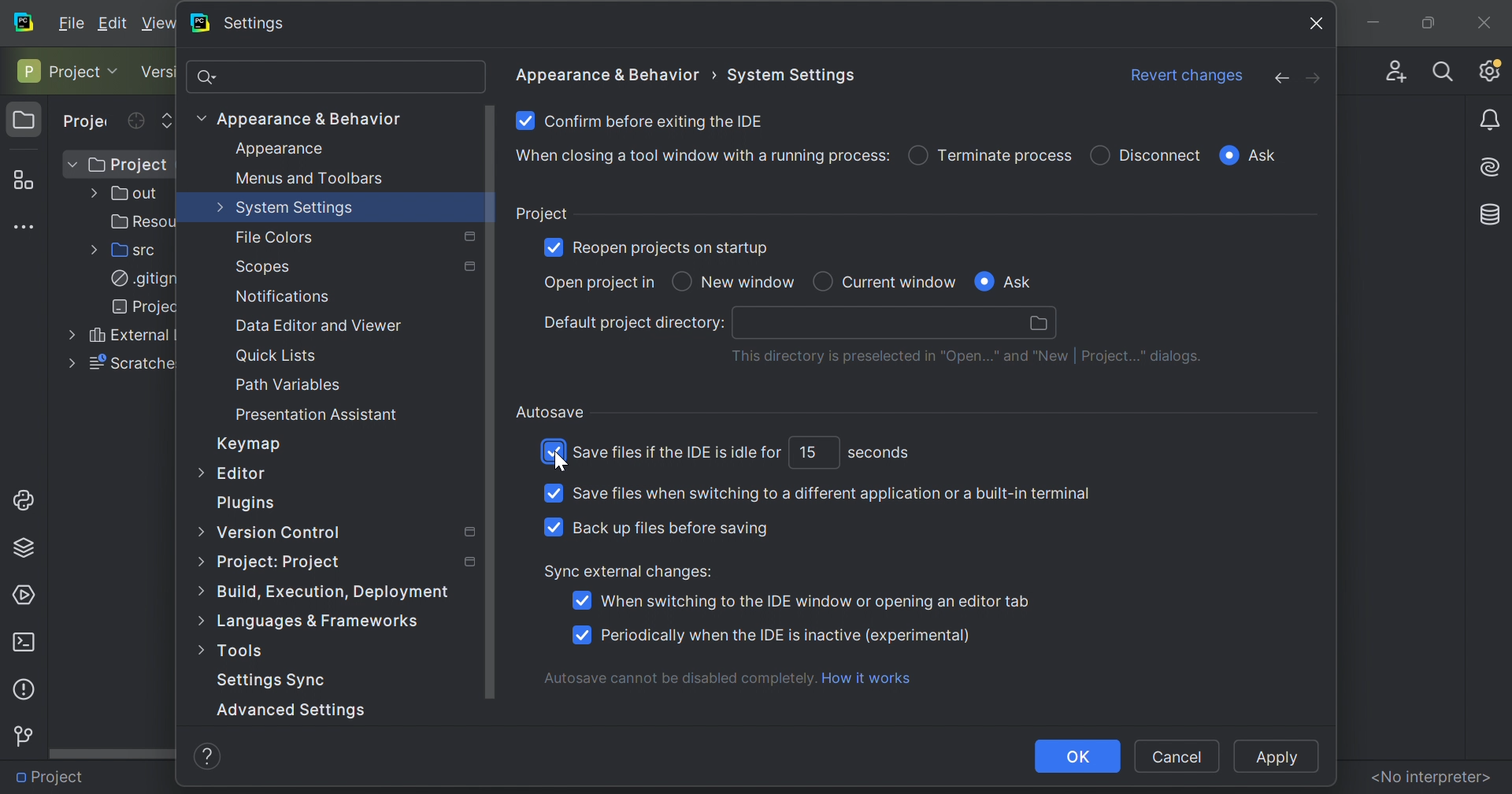 The image size is (1512, 794). What do you see at coordinates (217, 206) in the screenshot?
I see `More` at bounding box center [217, 206].